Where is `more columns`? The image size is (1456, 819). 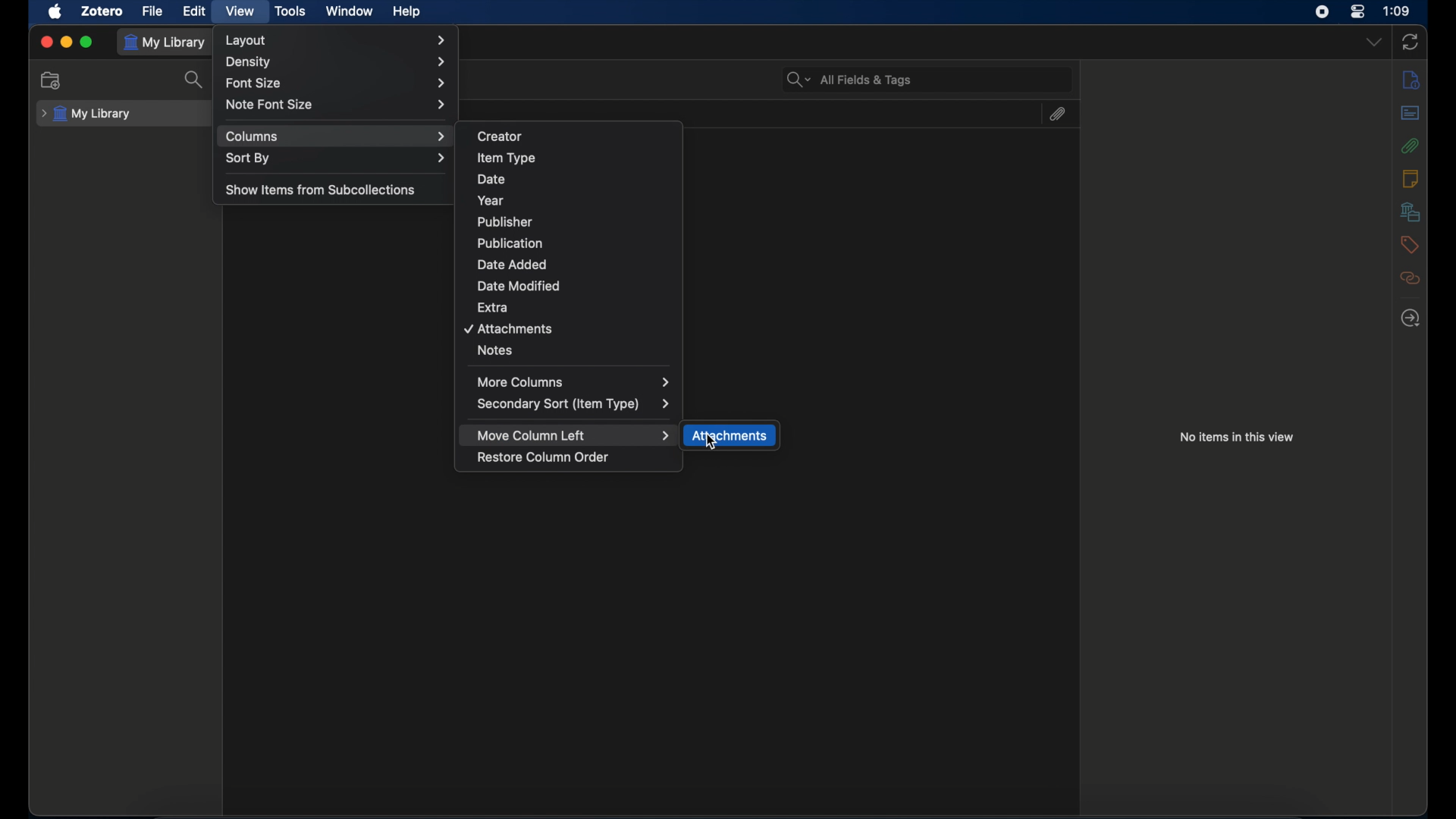 more columns is located at coordinates (574, 381).